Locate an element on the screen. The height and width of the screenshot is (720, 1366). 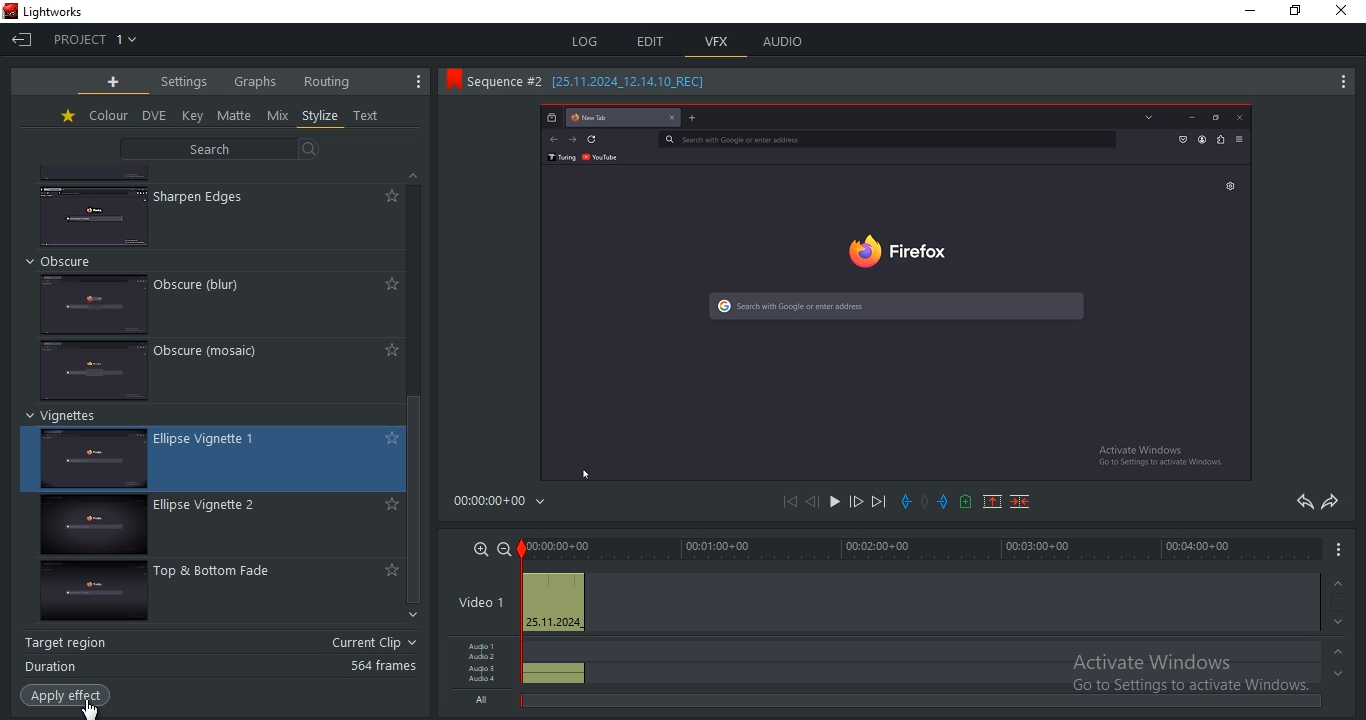
vignettes is located at coordinates (99, 460).